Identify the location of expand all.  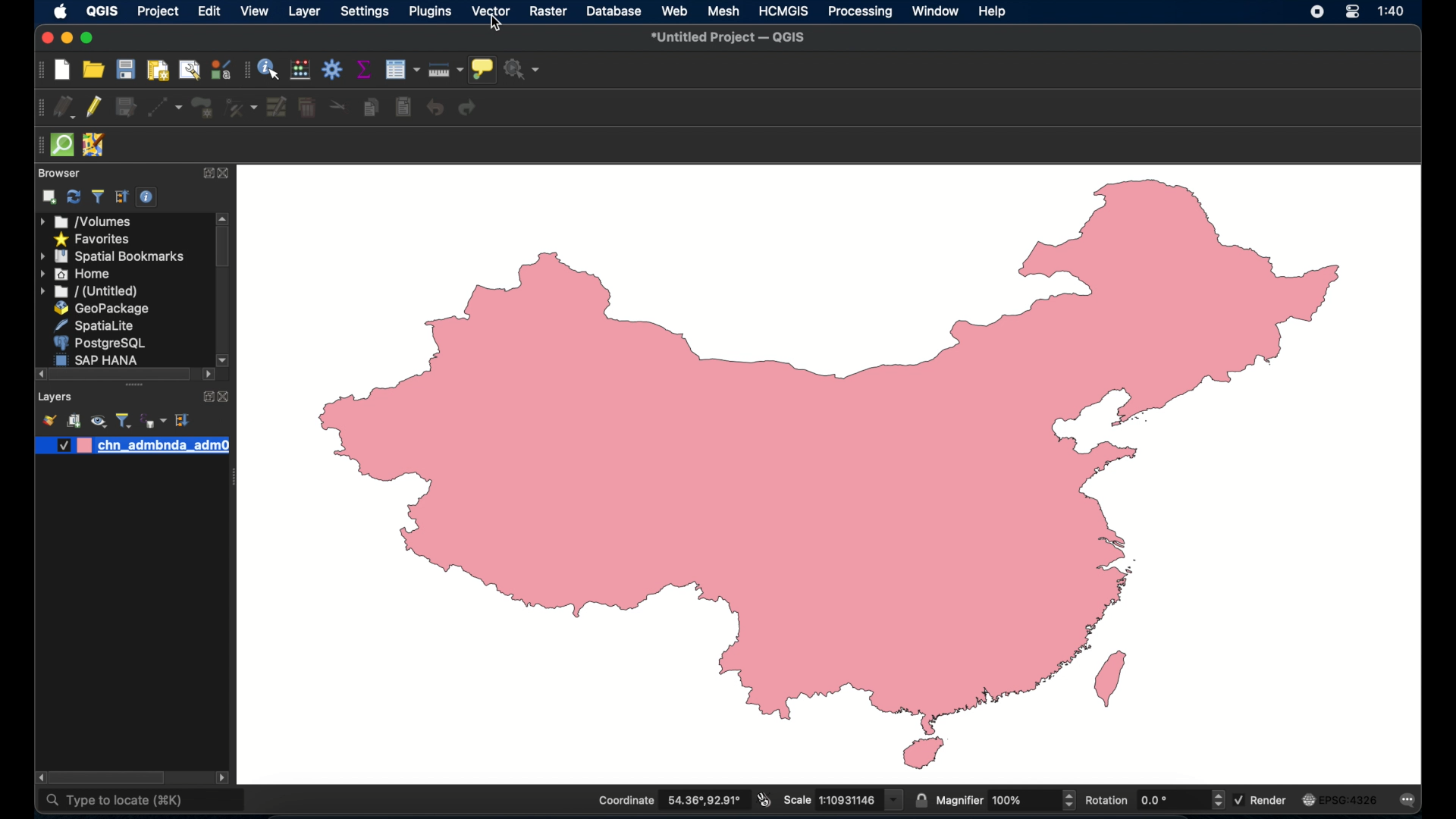
(184, 420).